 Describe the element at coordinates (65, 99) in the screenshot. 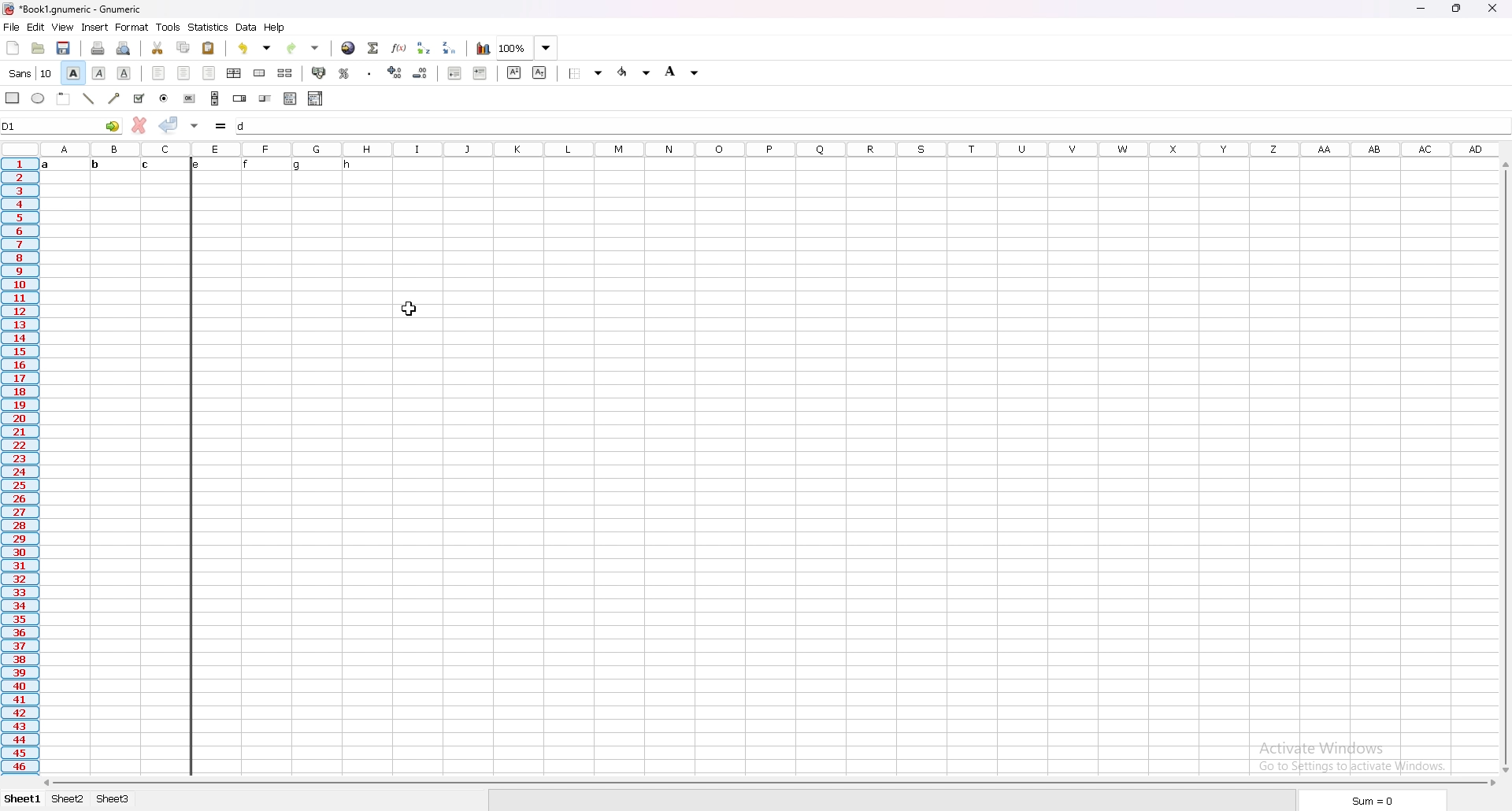

I see `frame` at that location.